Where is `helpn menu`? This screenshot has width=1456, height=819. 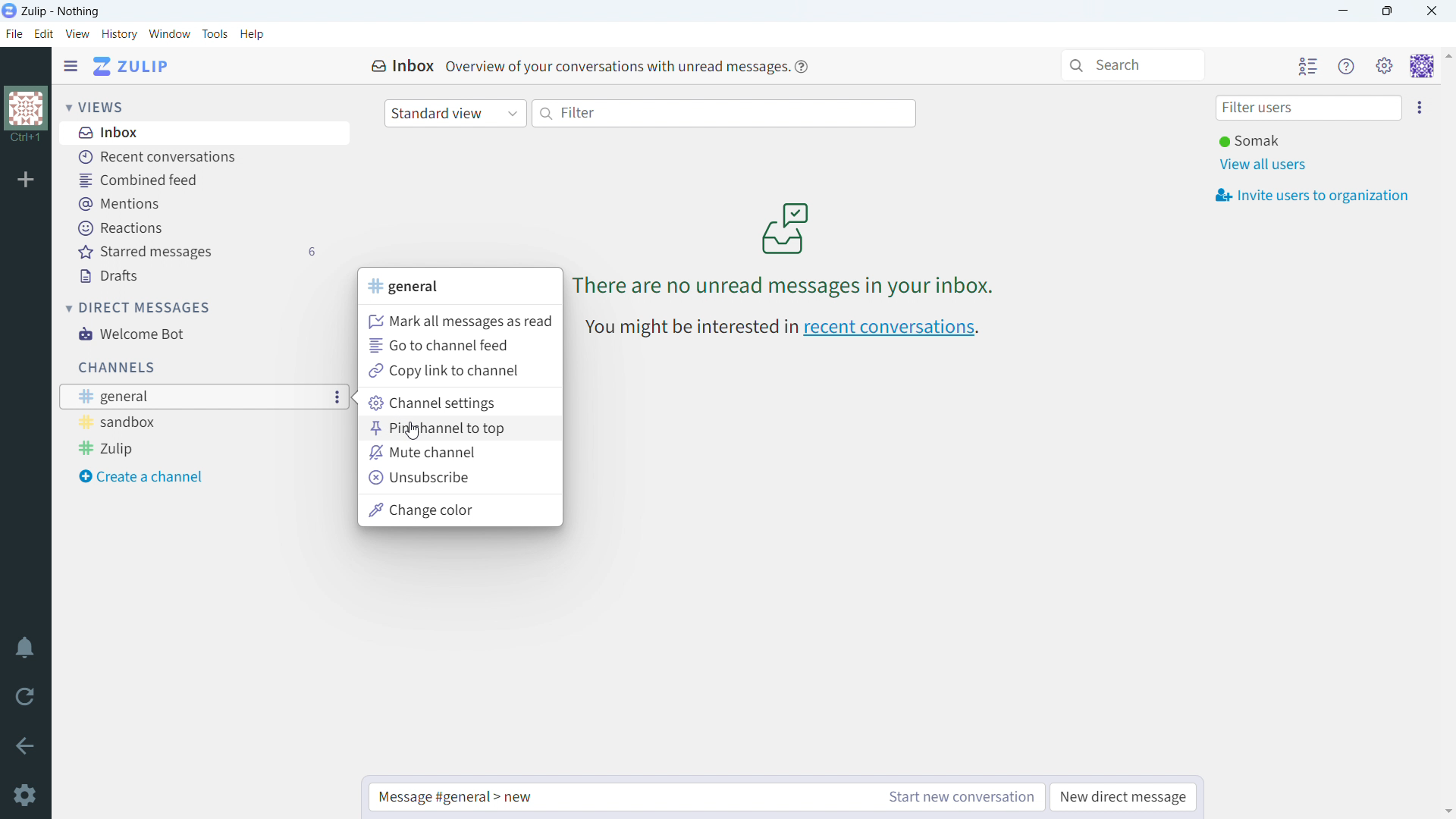
helpn menu is located at coordinates (1347, 66).